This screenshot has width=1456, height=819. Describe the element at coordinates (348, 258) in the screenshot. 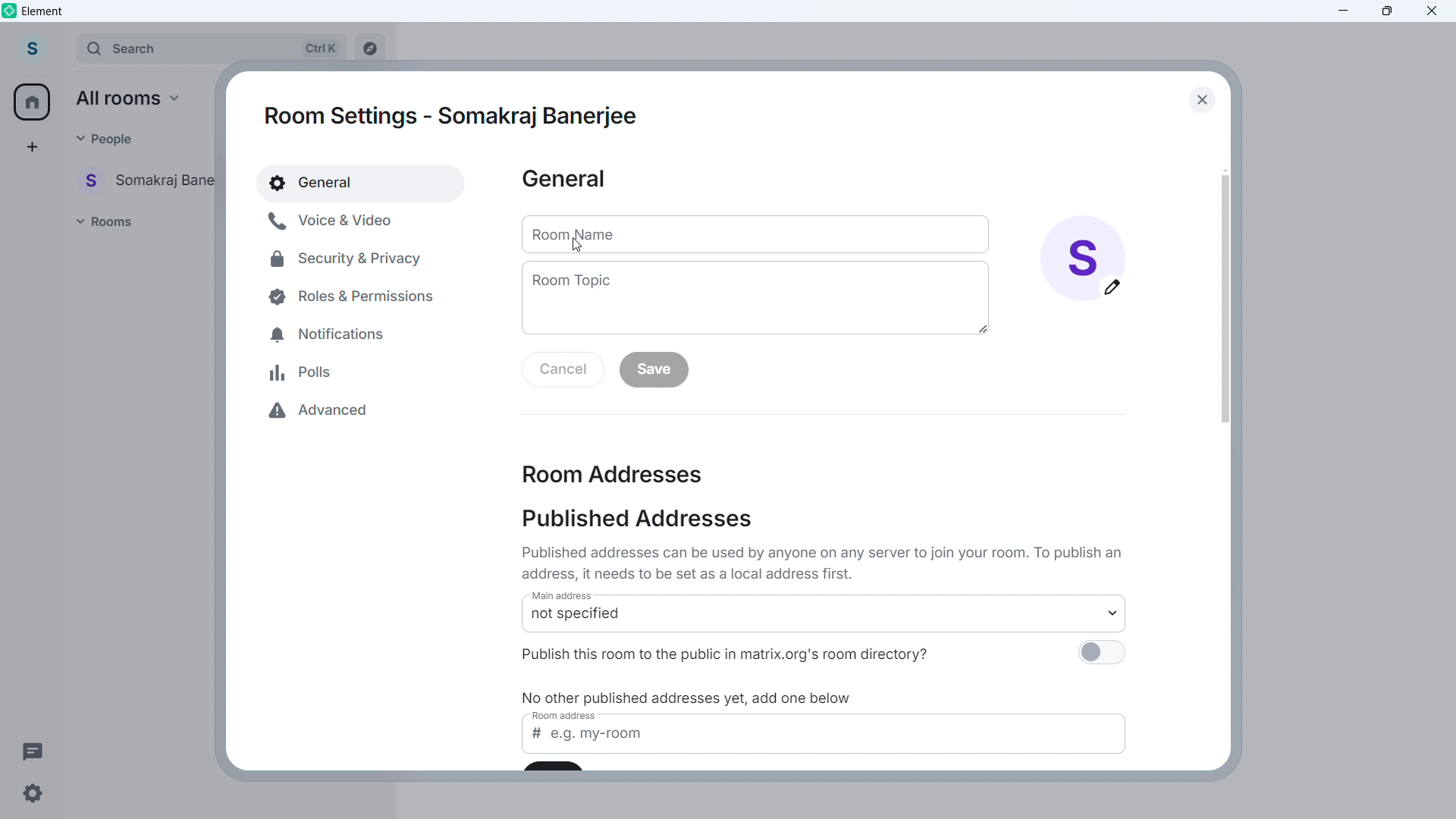

I see `Security and privacy ` at that location.